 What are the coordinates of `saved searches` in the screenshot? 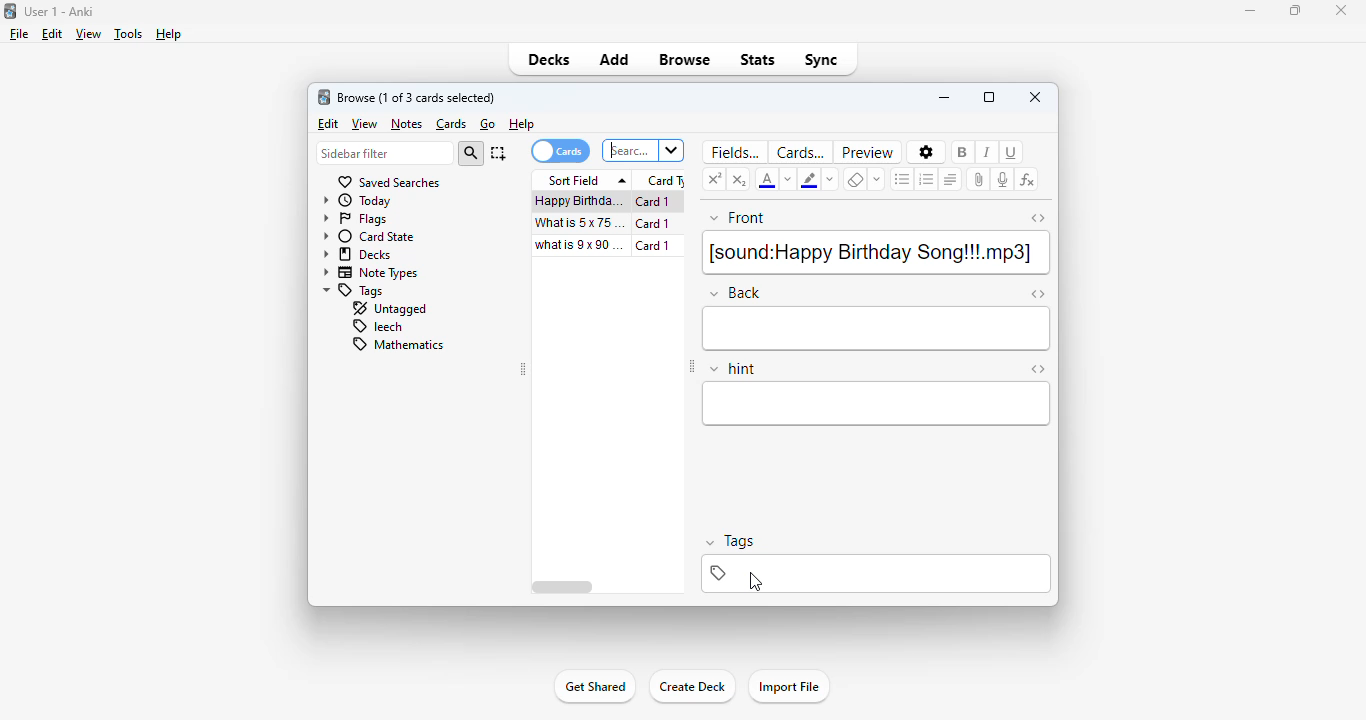 It's located at (388, 182).